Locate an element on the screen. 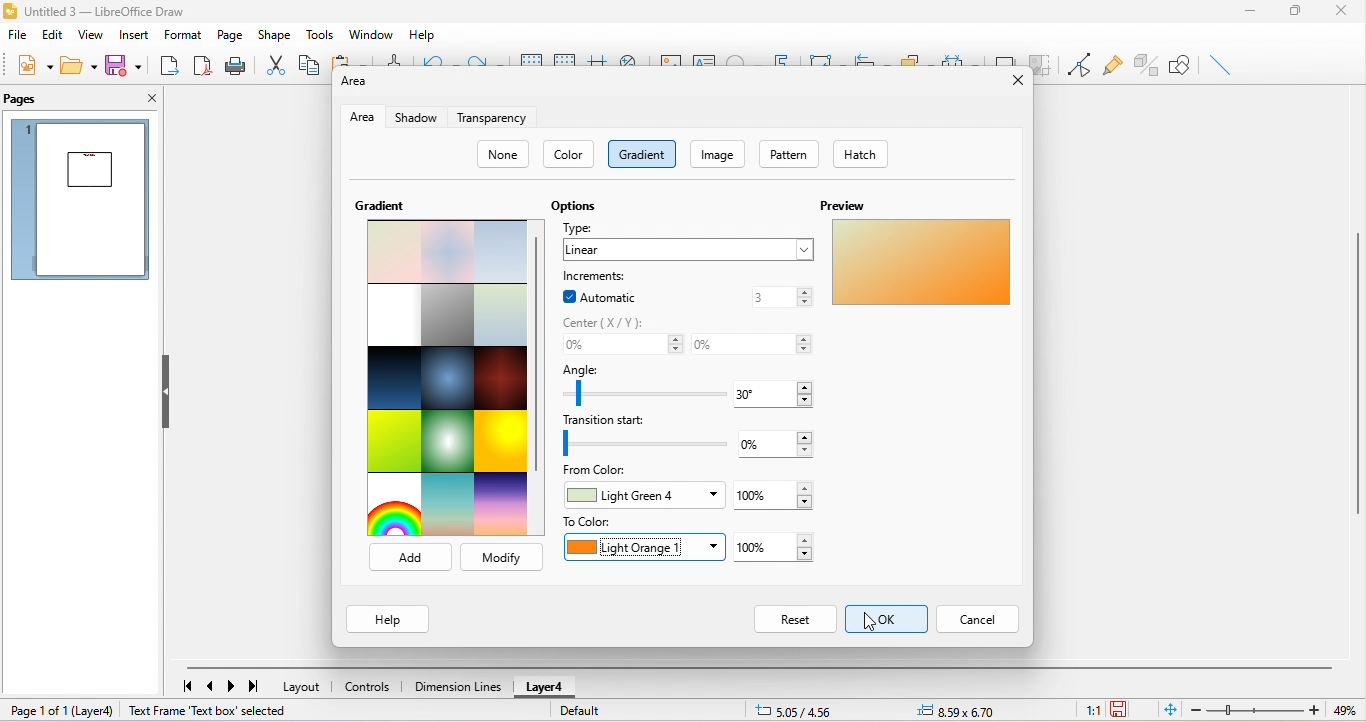  custom gradient color is located at coordinates (926, 267).